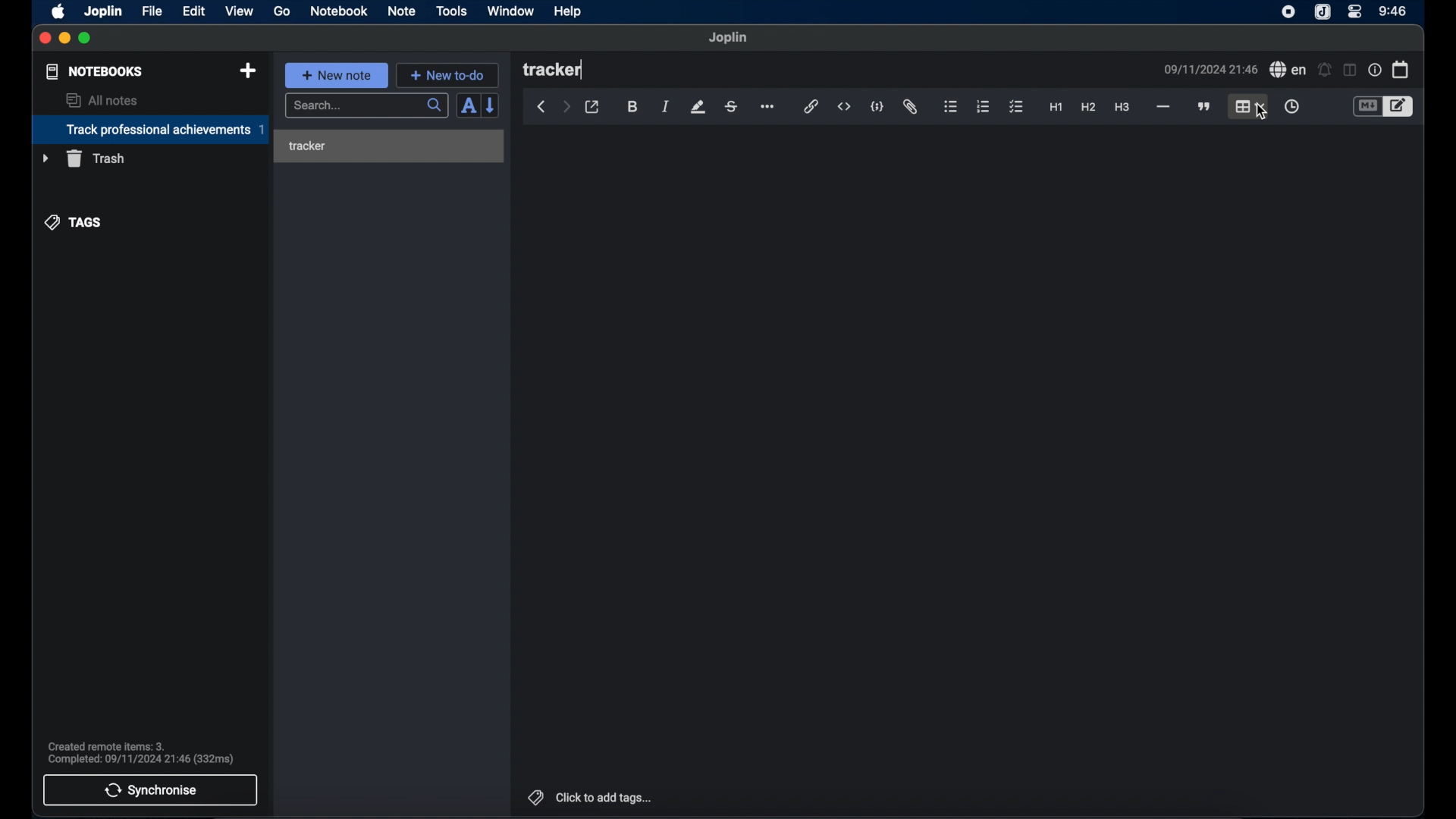  What do you see at coordinates (45, 38) in the screenshot?
I see `close` at bounding box center [45, 38].